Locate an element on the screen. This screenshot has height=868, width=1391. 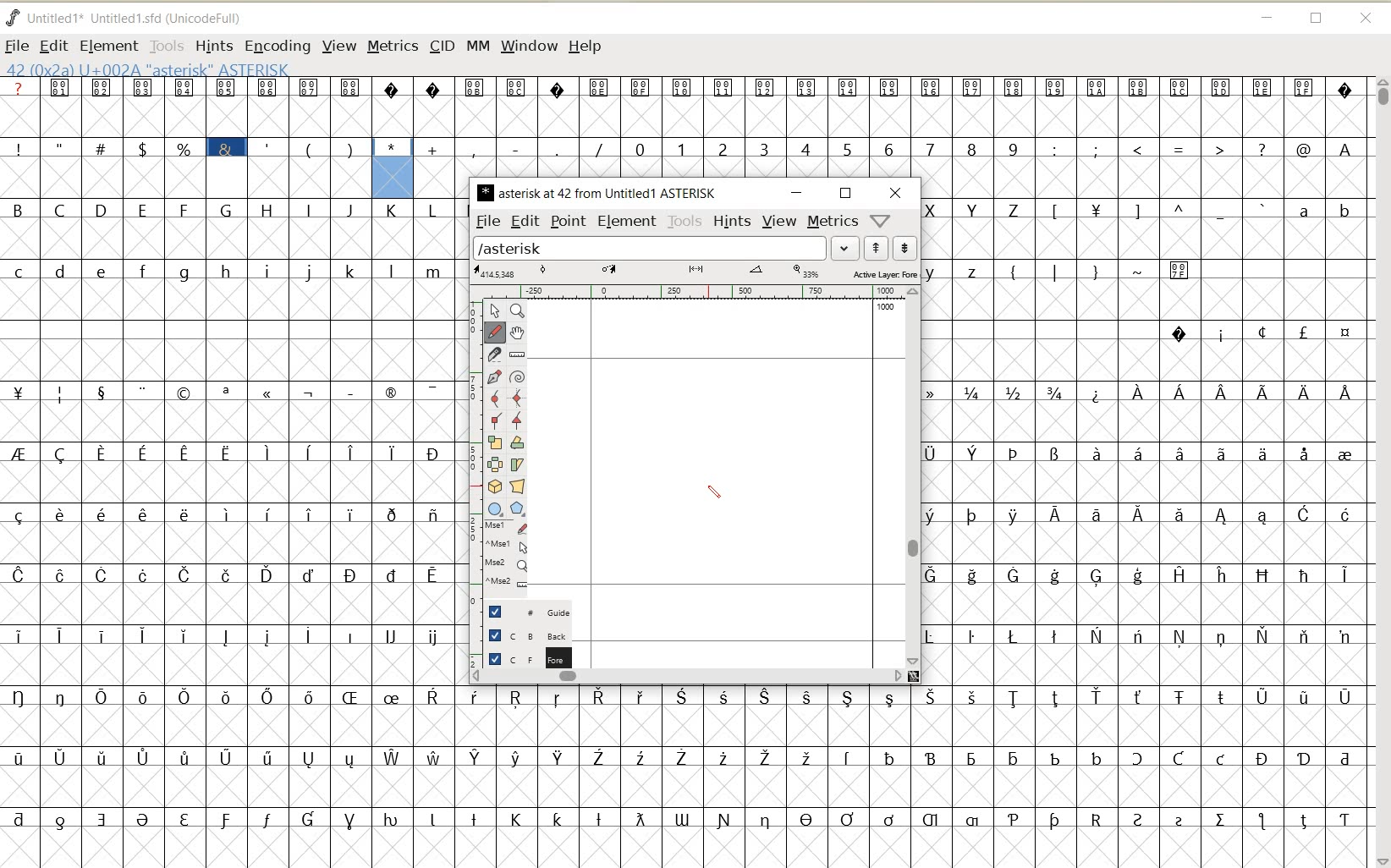
SCROLLBAR is located at coordinates (915, 477).